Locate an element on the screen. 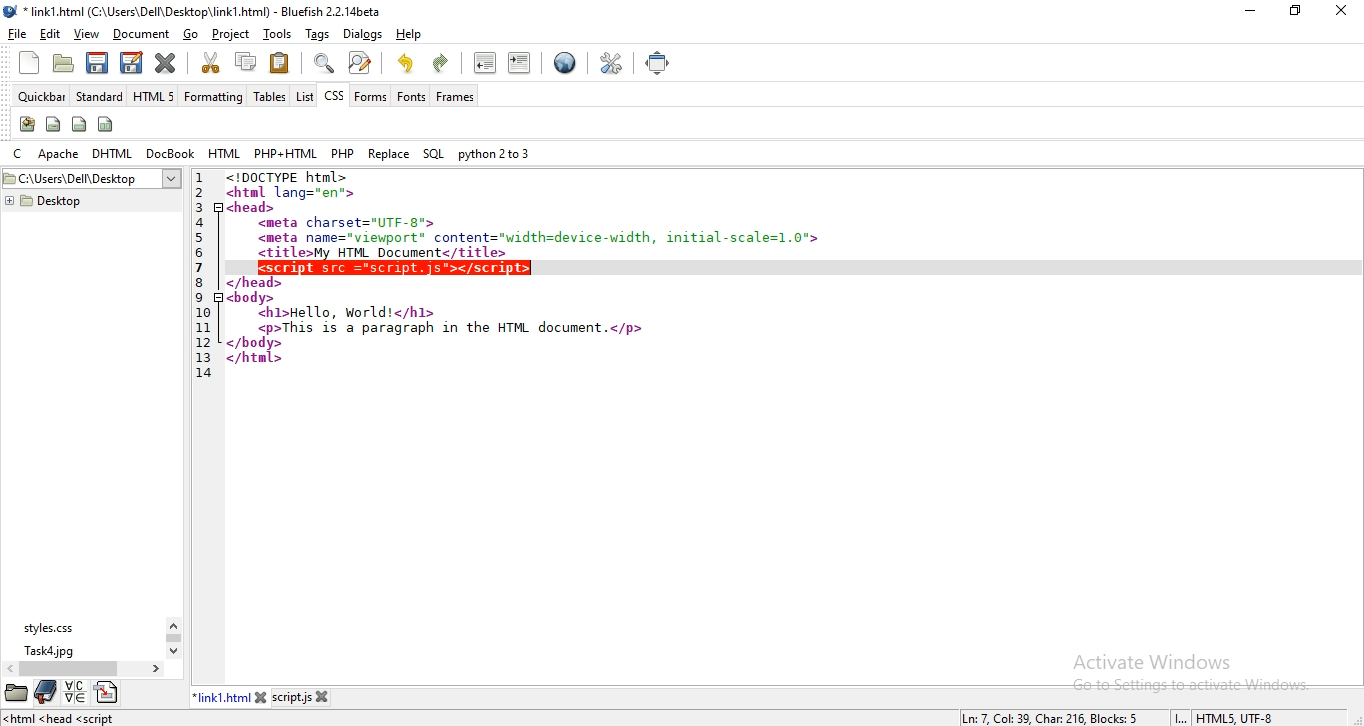 The width and height of the screenshot is (1364, 726). 1 is located at coordinates (198, 178).